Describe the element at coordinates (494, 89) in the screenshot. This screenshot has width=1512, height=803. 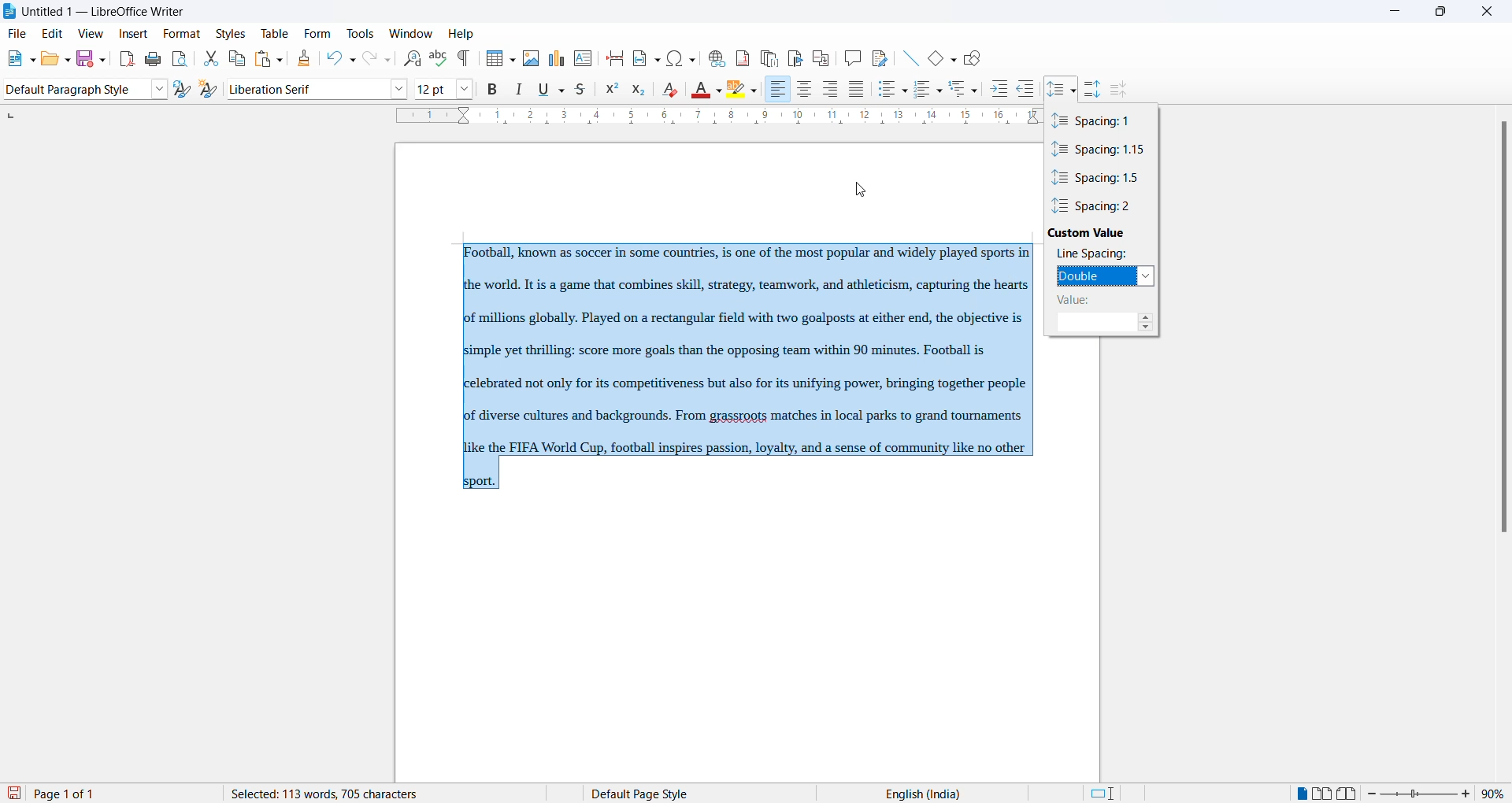
I see `bold` at that location.